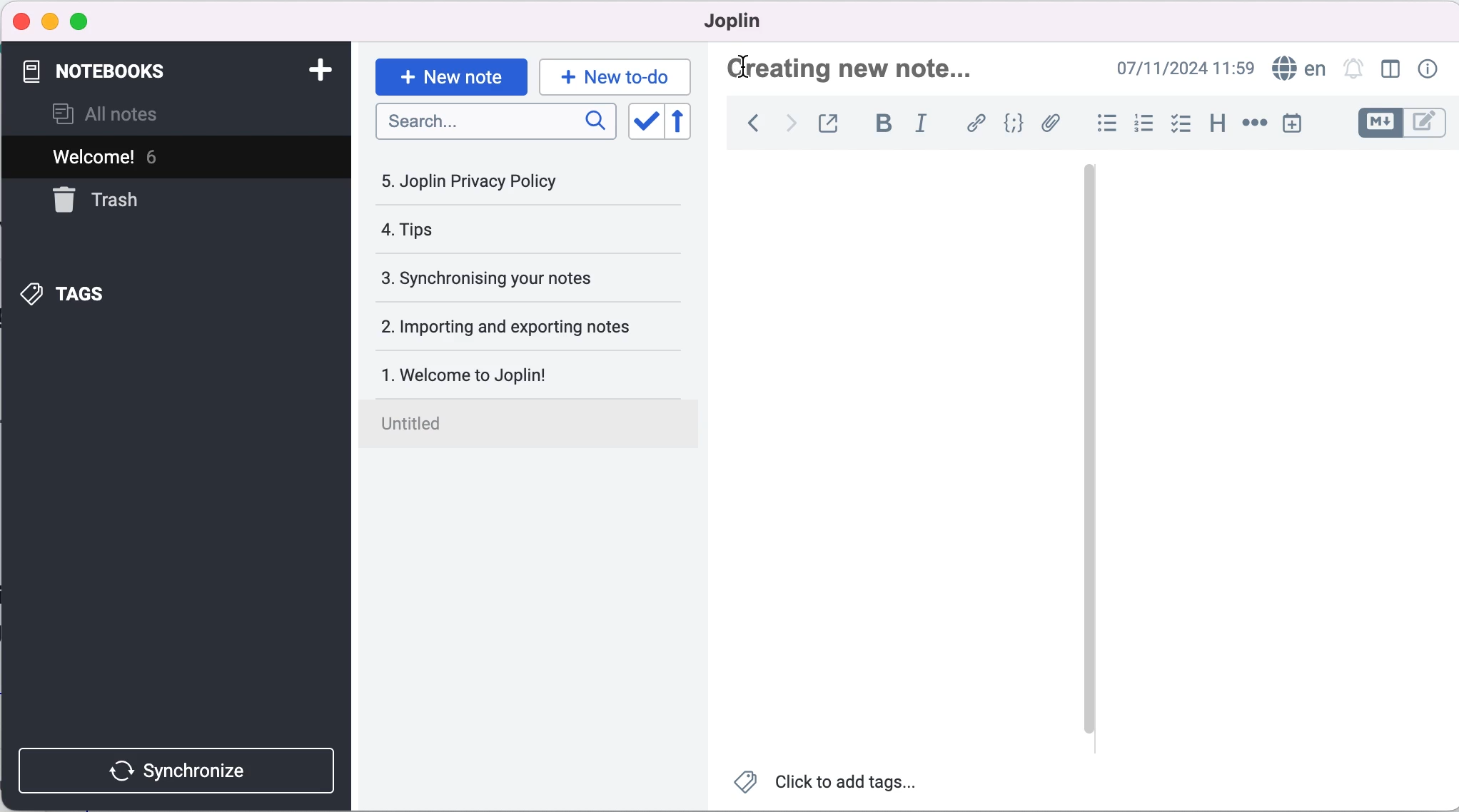 The height and width of the screenshot is (812, 1459). I want to click on numbered list, so click(1144, 124).